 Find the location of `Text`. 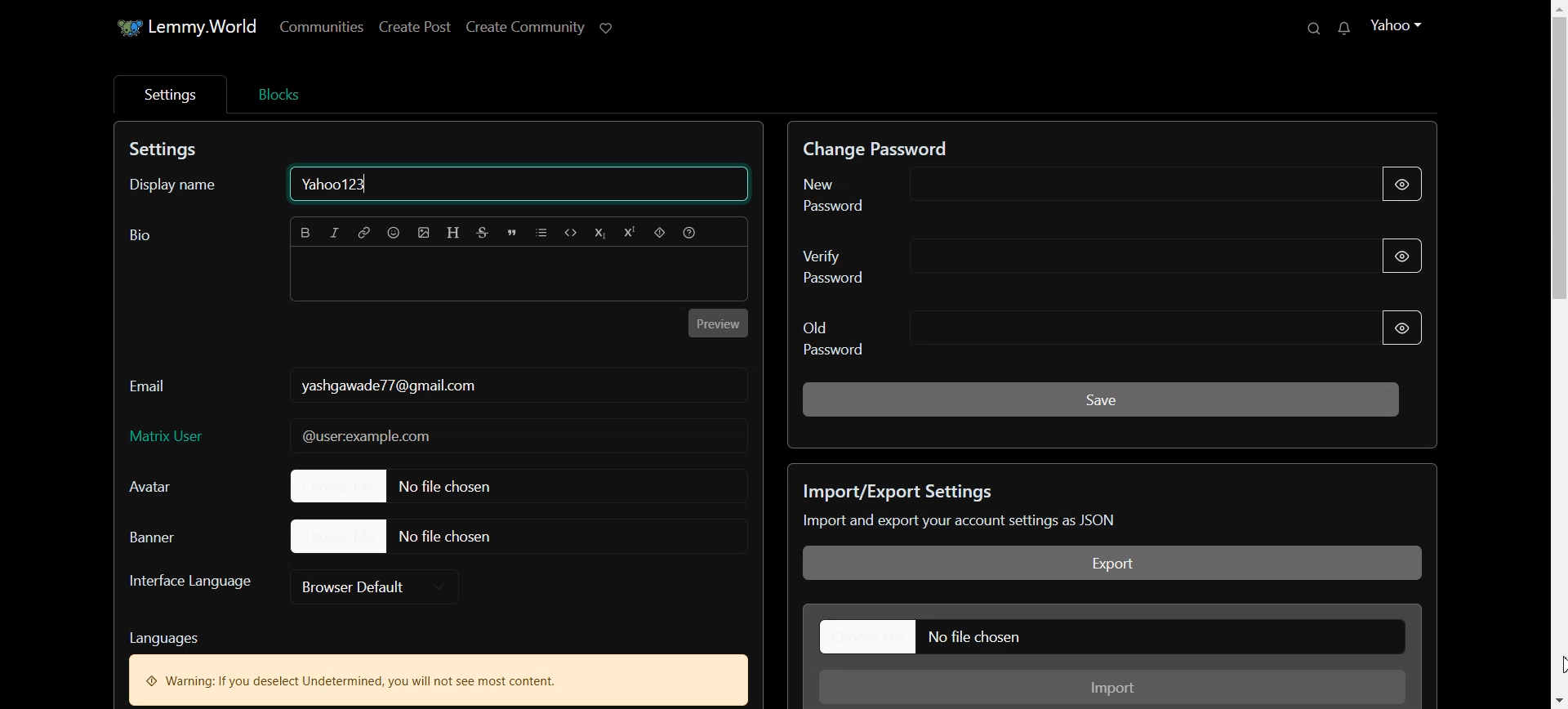

Text is located at coordinates (886, 145).